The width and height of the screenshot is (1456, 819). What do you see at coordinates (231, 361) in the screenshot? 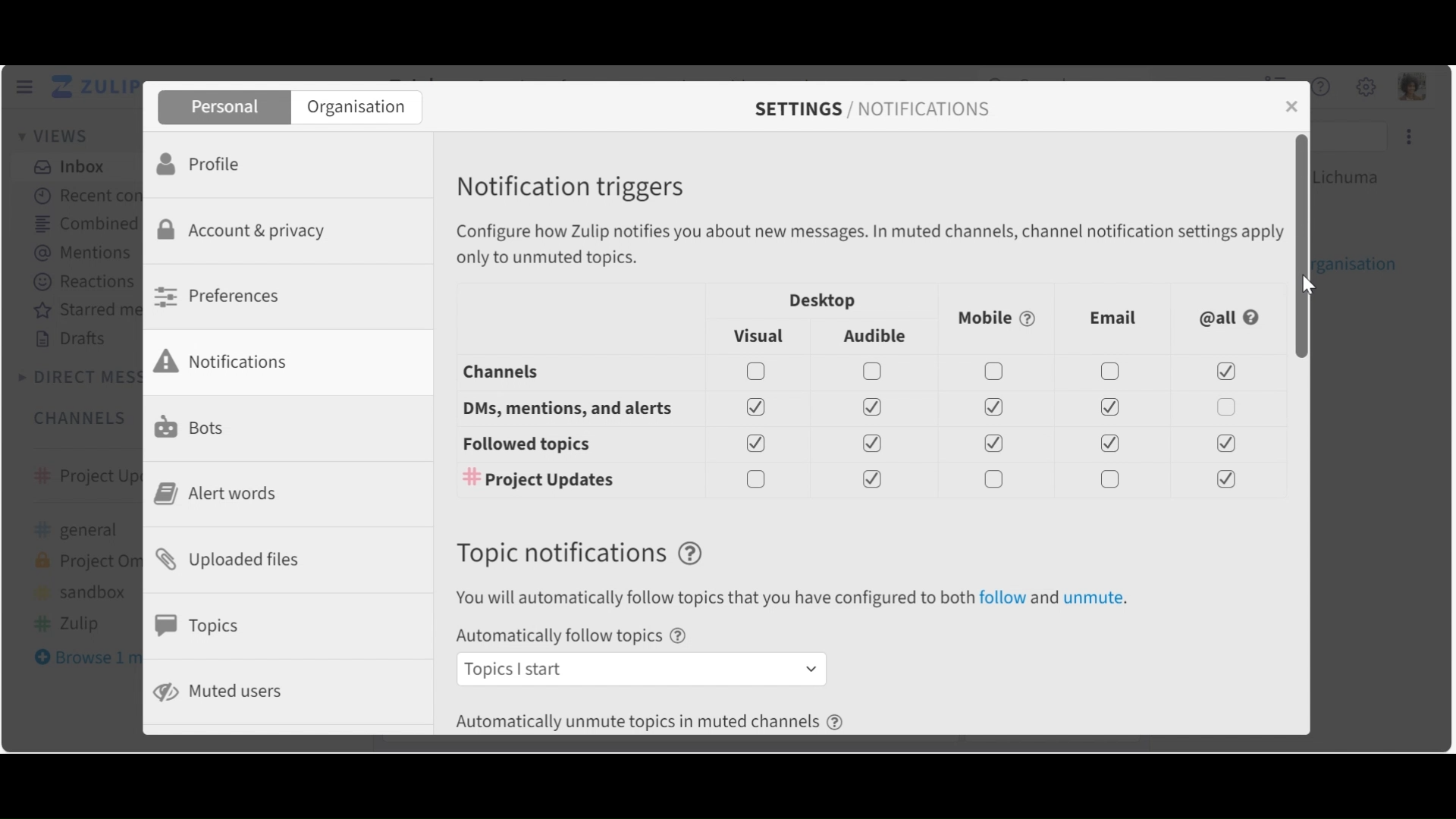
I see `Notifications` at bounding box center [231, 361].